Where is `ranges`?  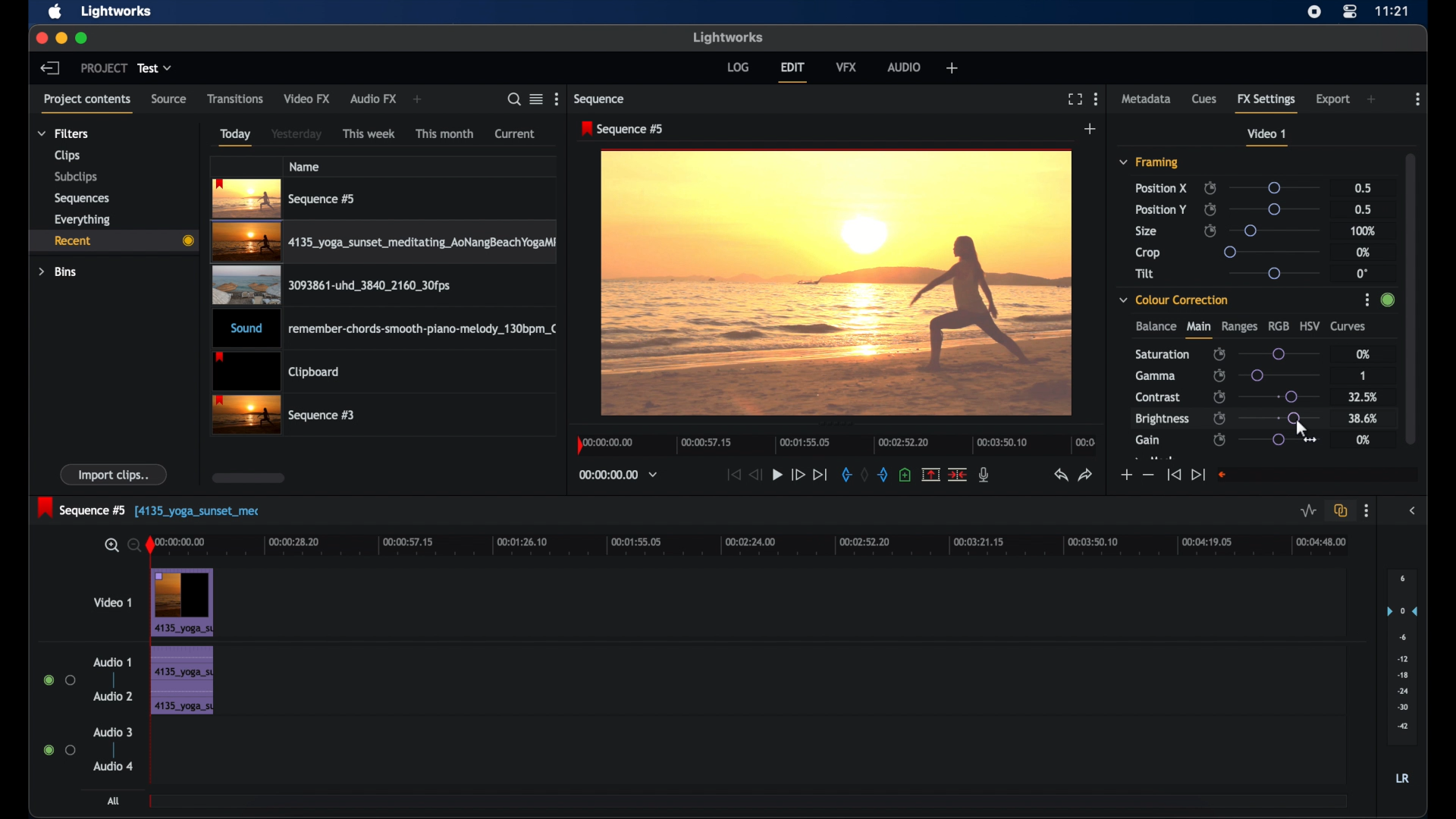 ranges is located at coordinates (1239, 327).